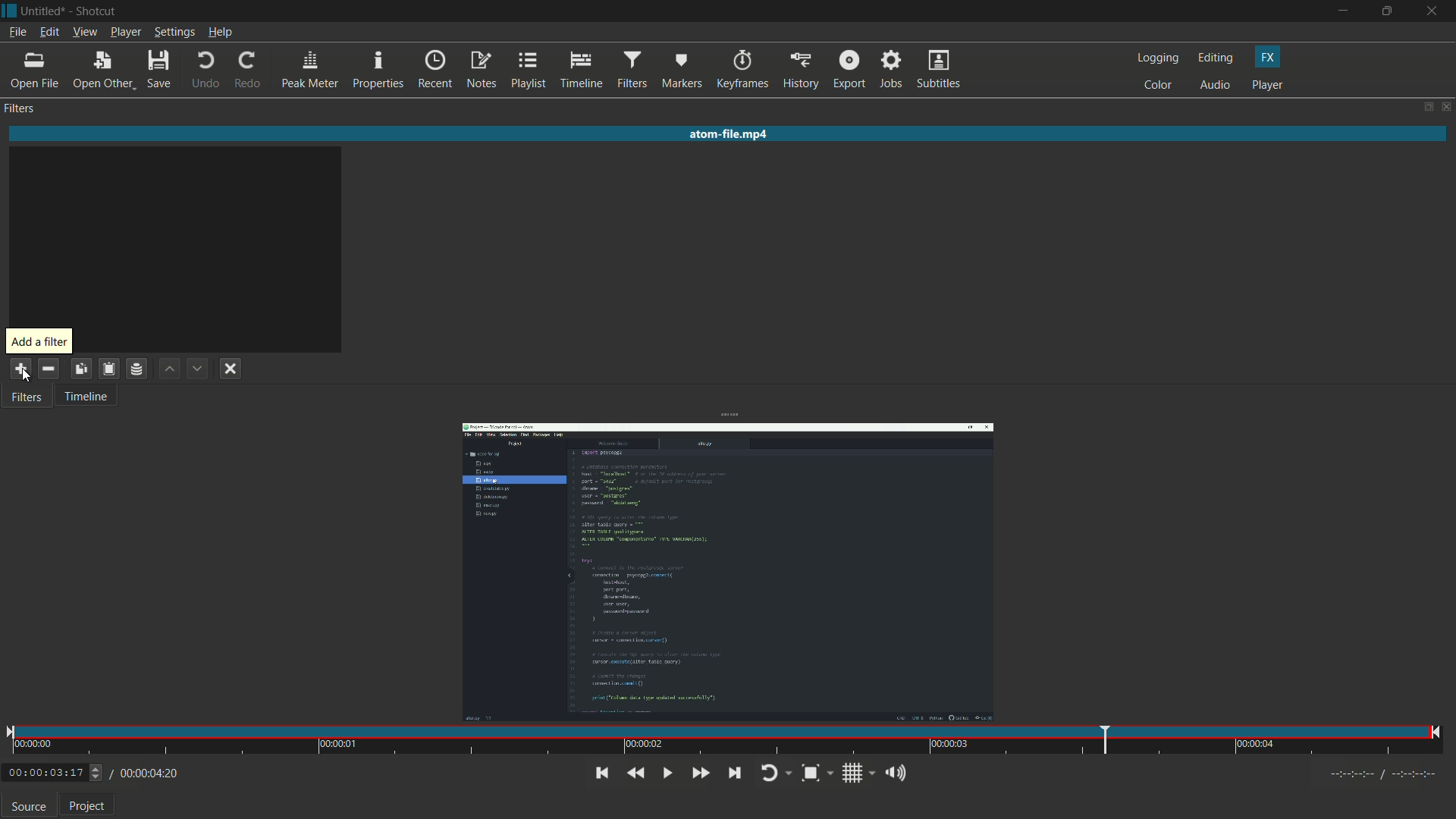 The image size is (1456, 819). What do you see at coordinates (743, 69) in the screenshot?
I see `keyframes` at bounding box center [743, 69].